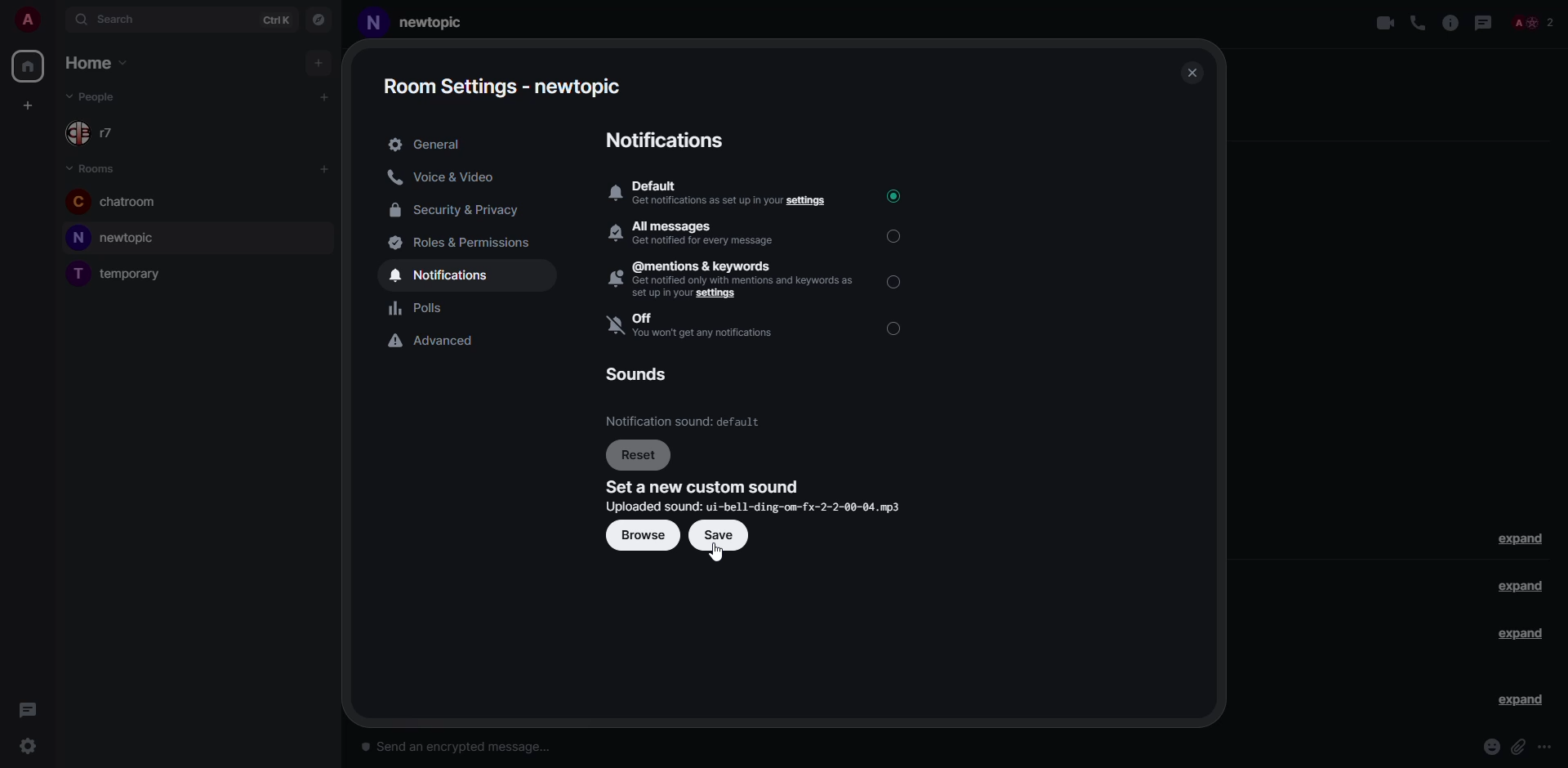  What do you see at coordinates (1521, 634) in the screenshot?
I see `expand` at bounding box center [1521, 634].